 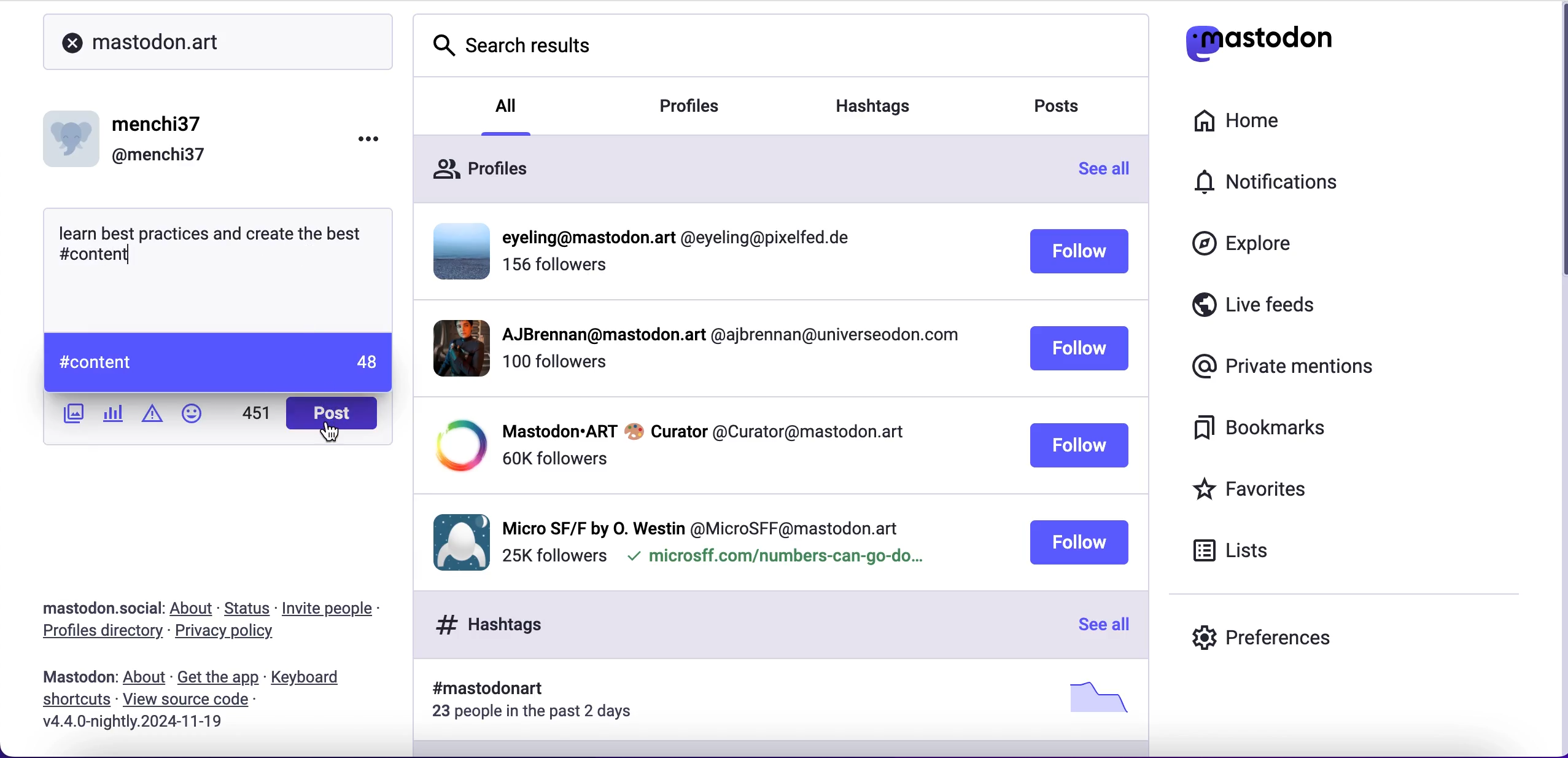 I want to click on followers, so click(x=553, y=557).